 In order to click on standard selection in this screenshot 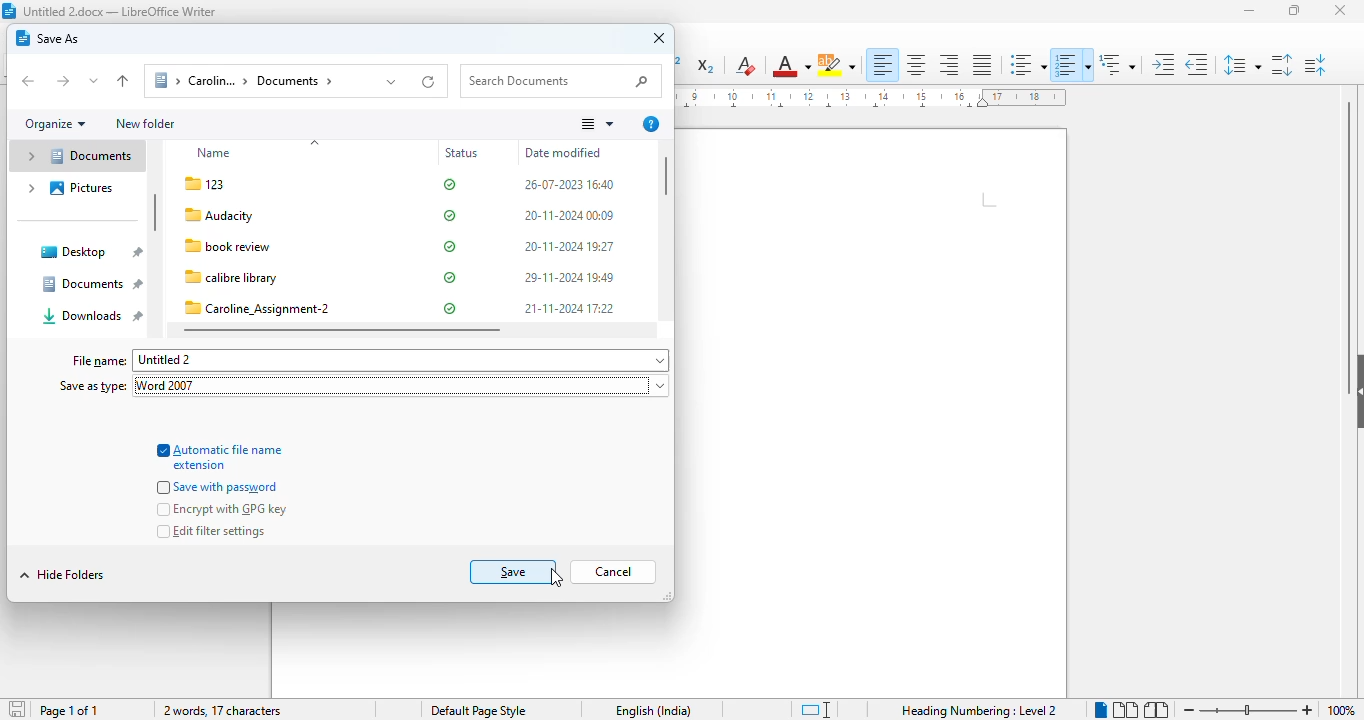, I will do `click(815, 710)`.